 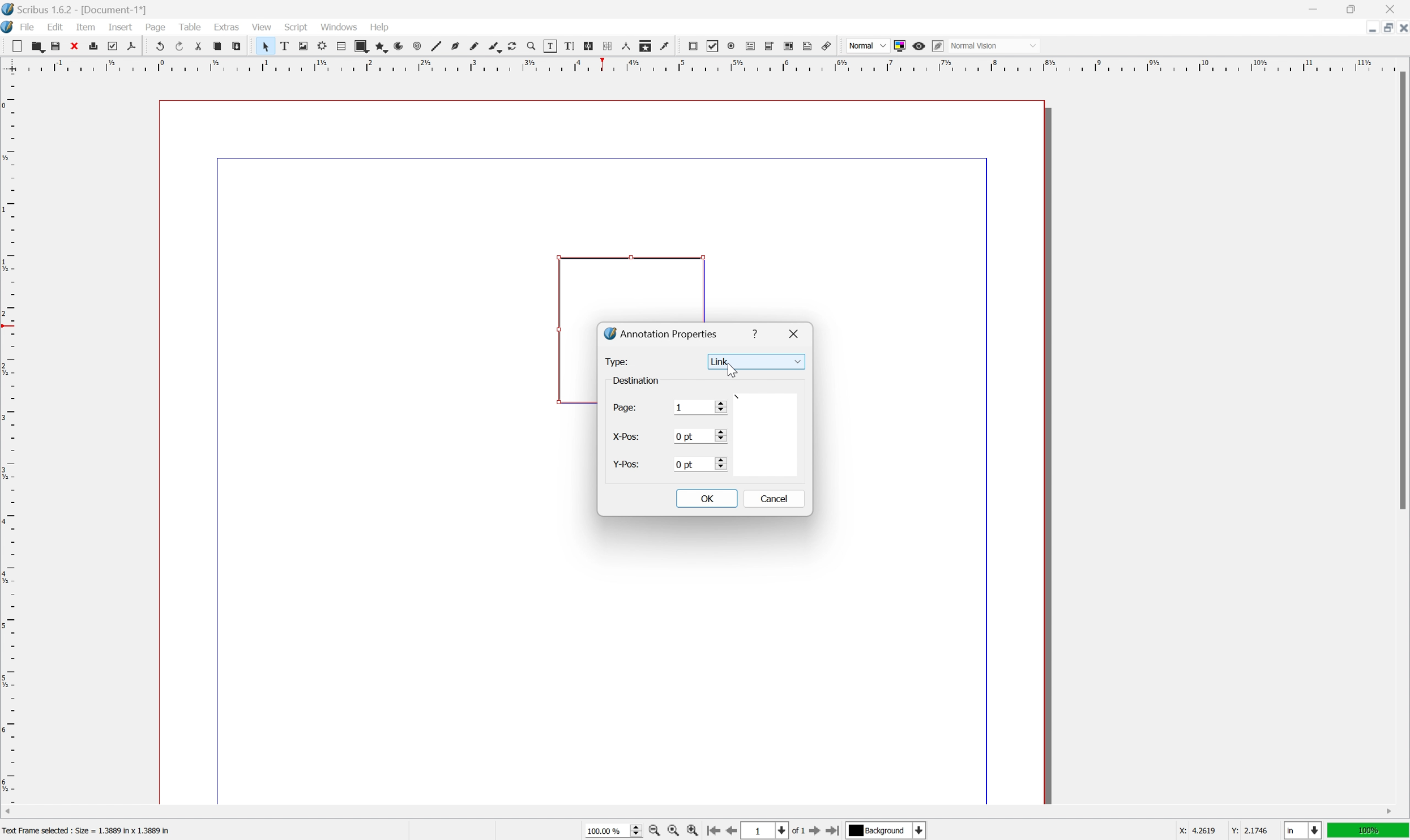 What do you see at coordinates (993, 45) in the screenshot?
I see `normal vision` at bounding box center [993, 45].